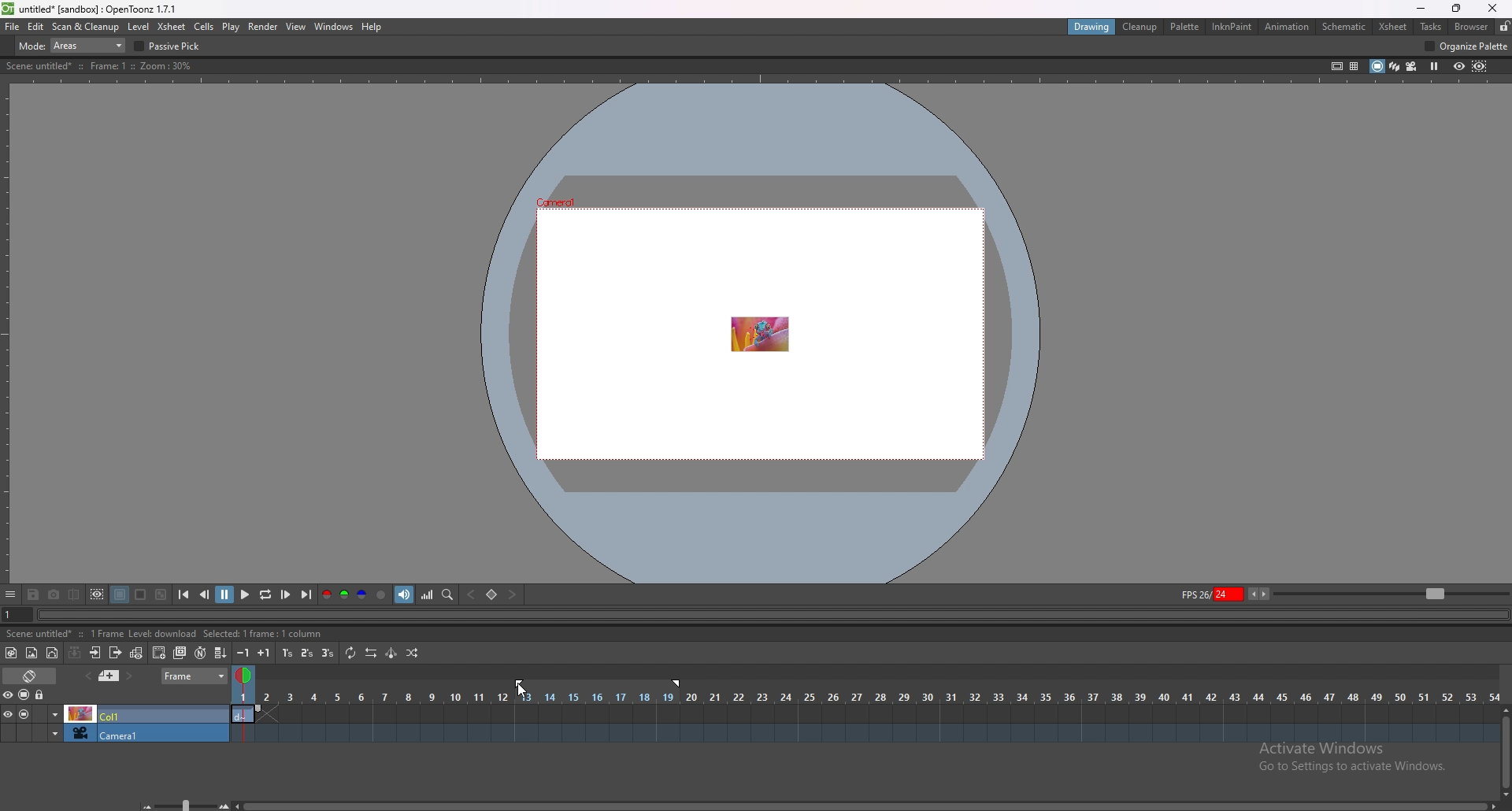 This screenshot has width=1512, height=811. I want to click on add memo, so click(87, 676).